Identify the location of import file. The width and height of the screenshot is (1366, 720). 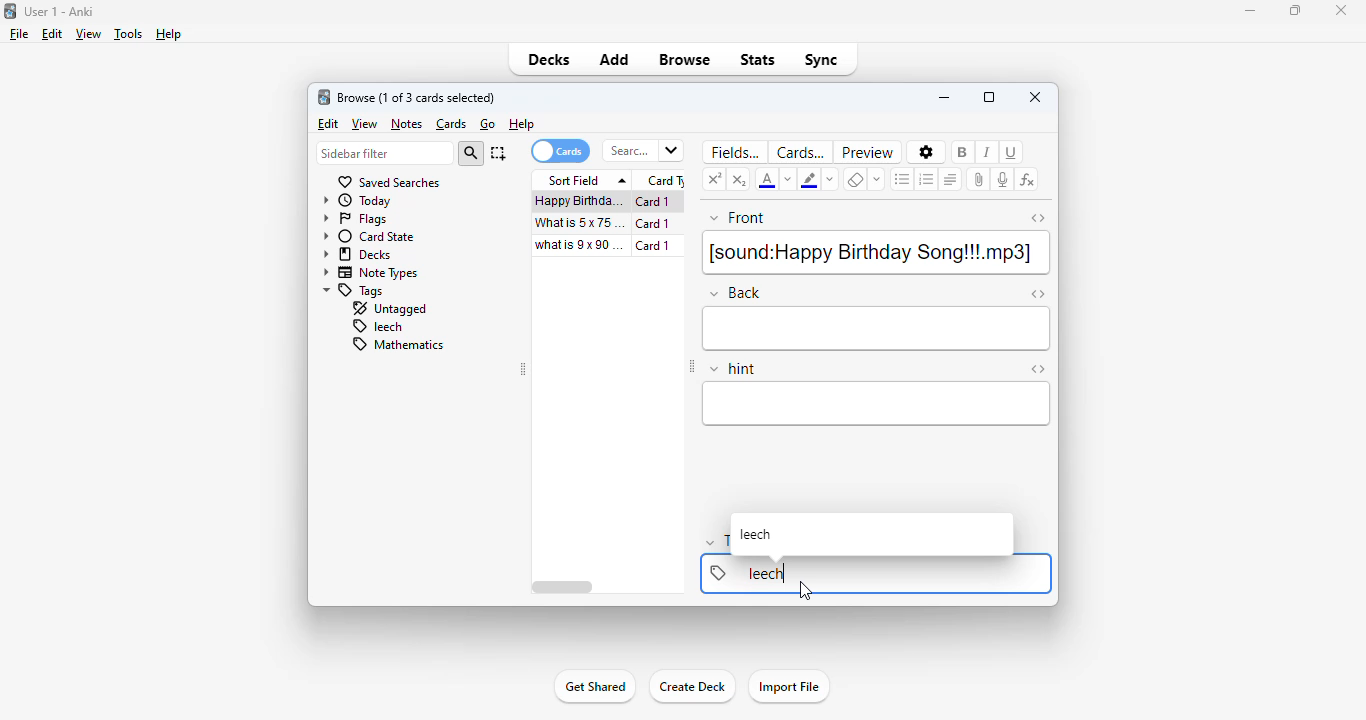
(790, 687).